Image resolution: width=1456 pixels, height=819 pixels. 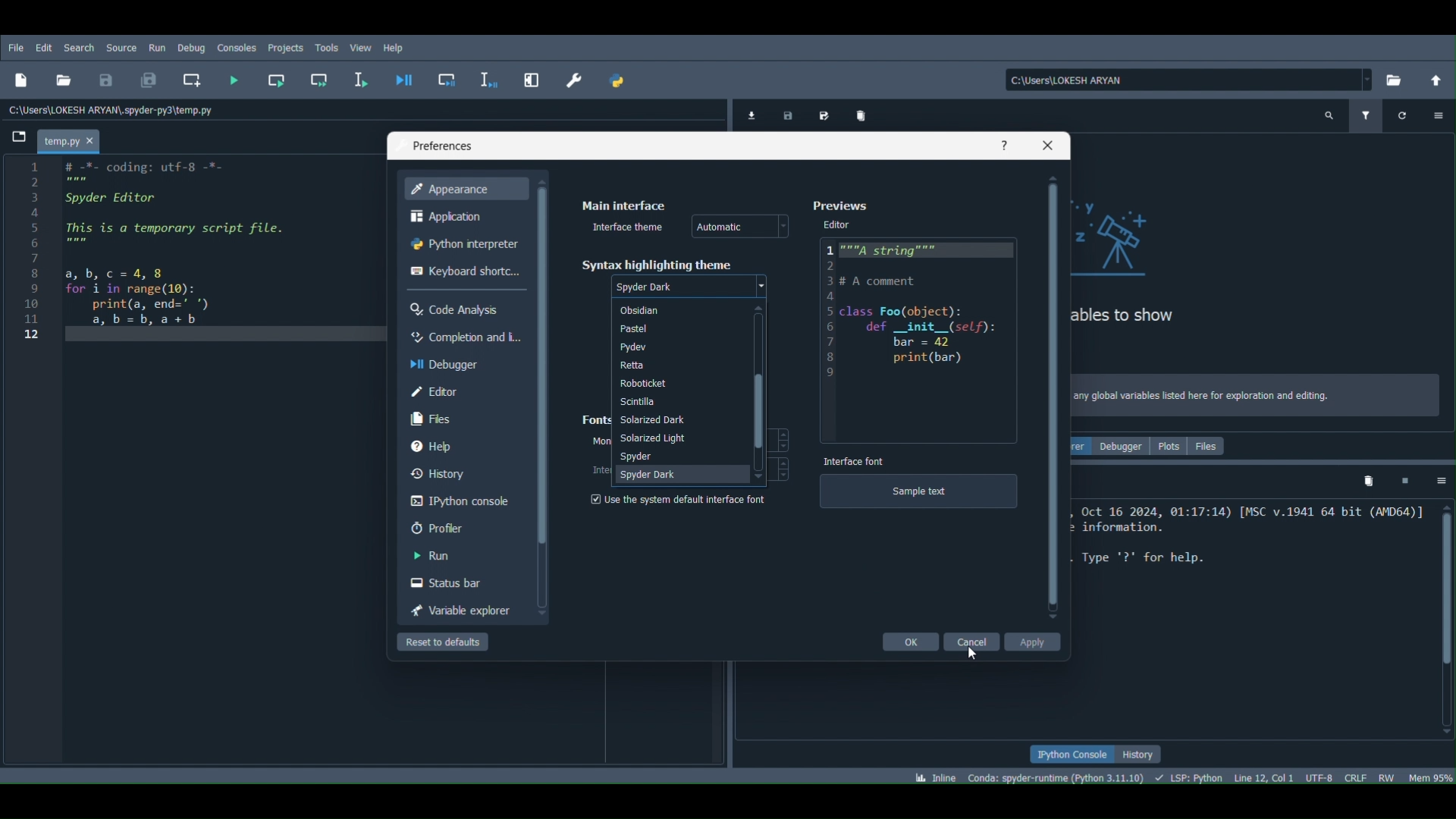 What do you see at coordinates (919, 497) in the screenshot?
I see `Sample text` at bounding box center [919, 497].